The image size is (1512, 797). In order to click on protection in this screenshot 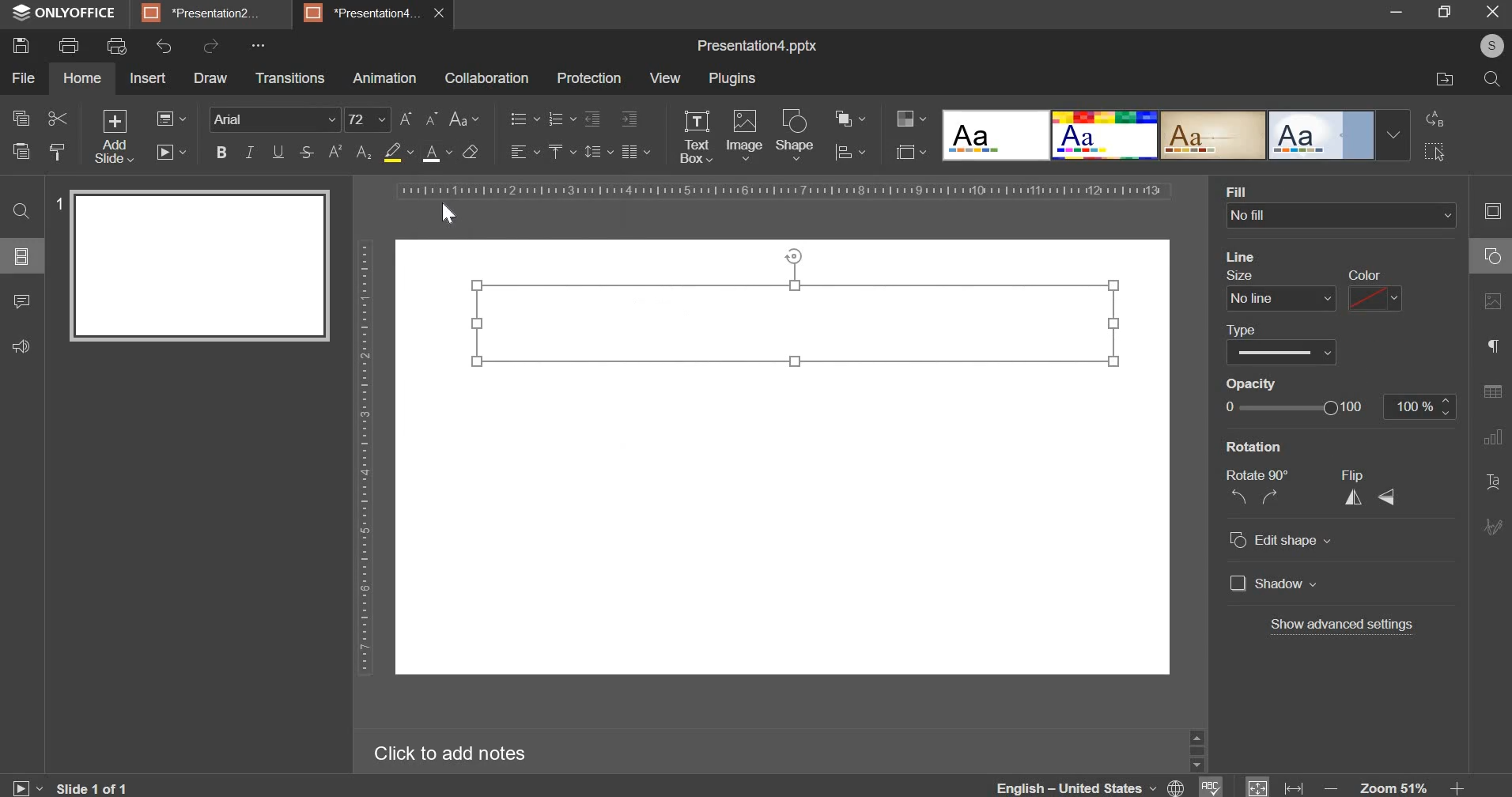, I will do `click(589, 78)`.